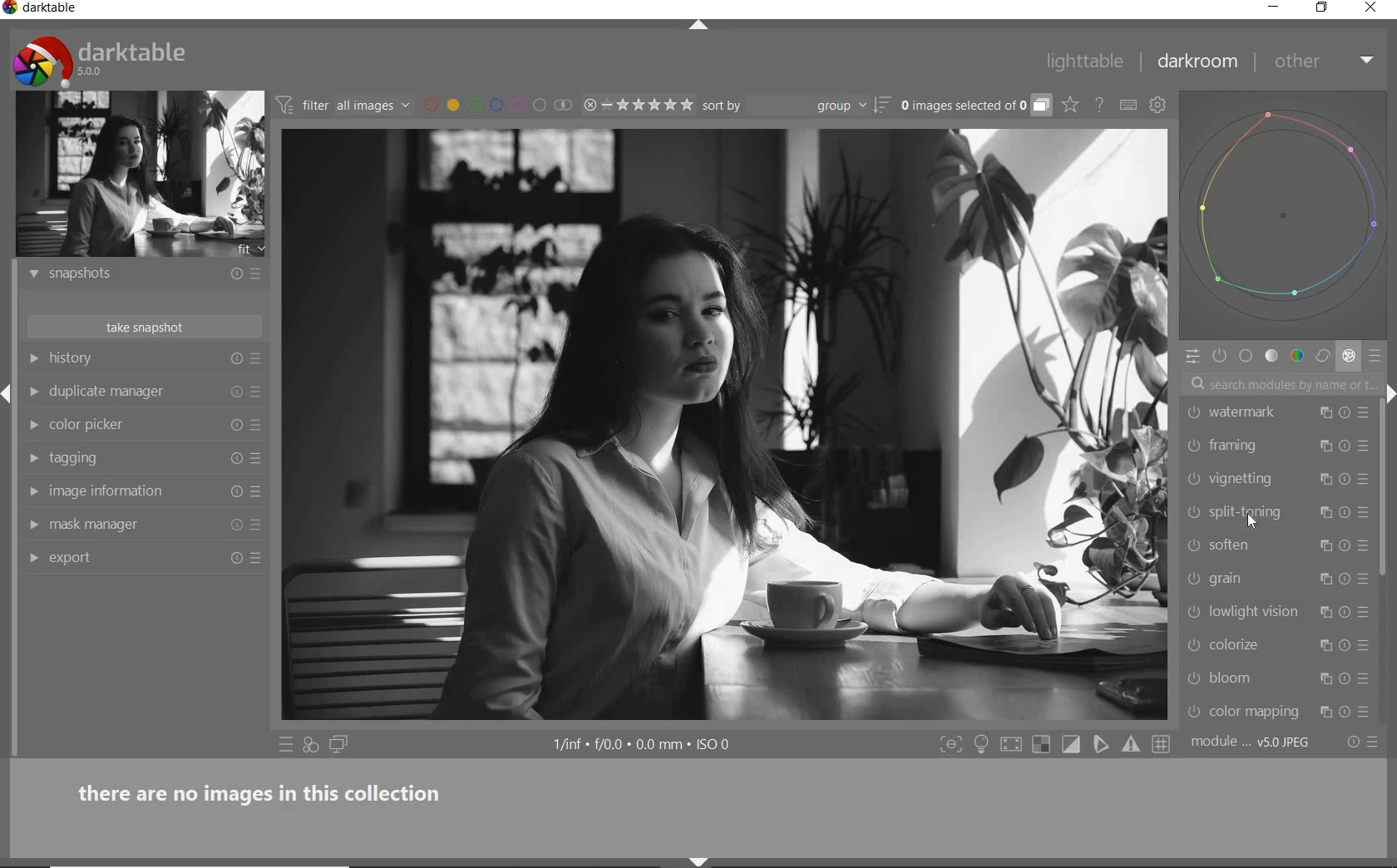  Describe the element at coordinates (1251, 742) in the screenshot. I see `module...V5.0 JPEG` at that location.